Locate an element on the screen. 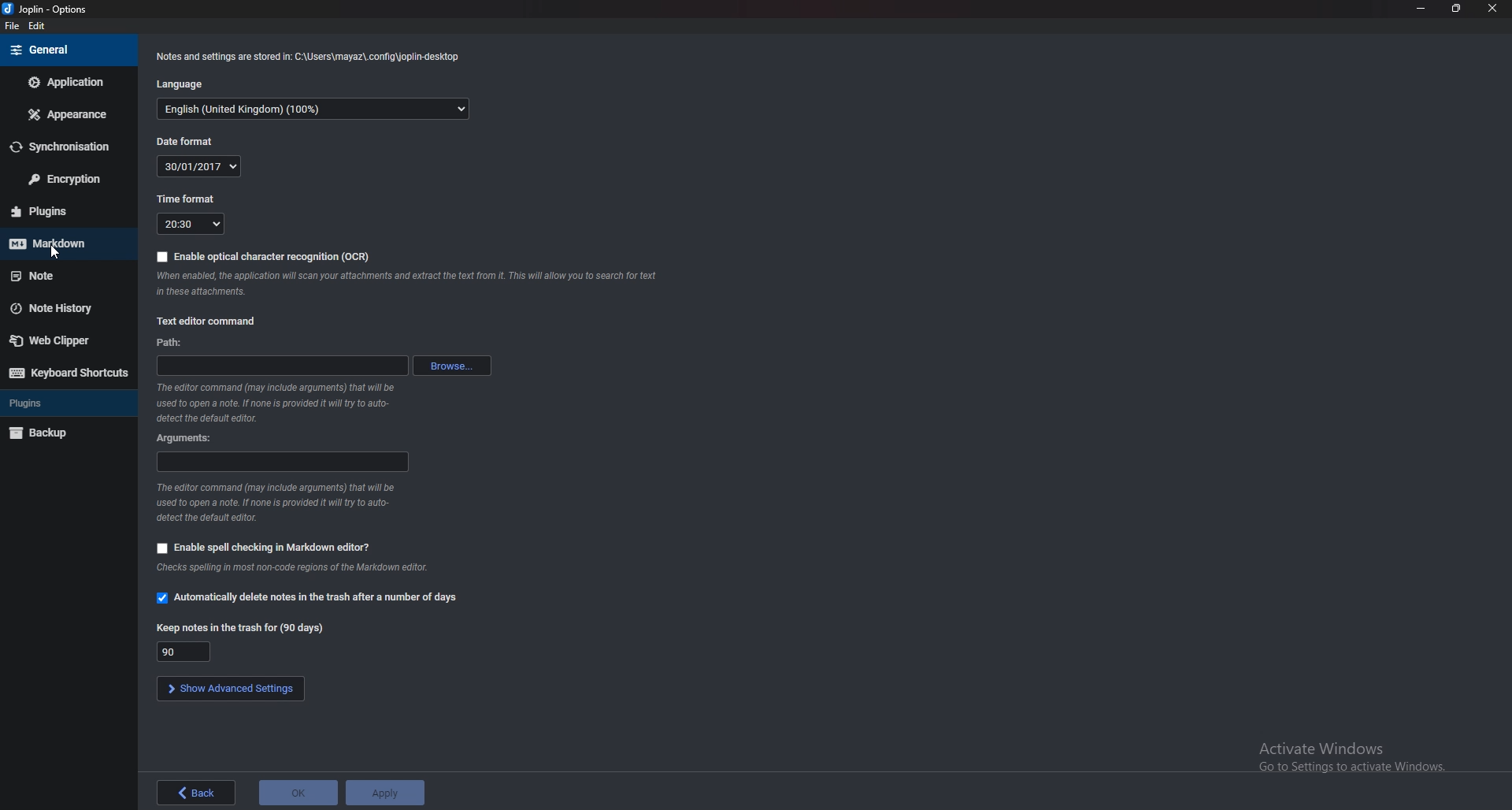  Time format is located at coordinates (193, 224).